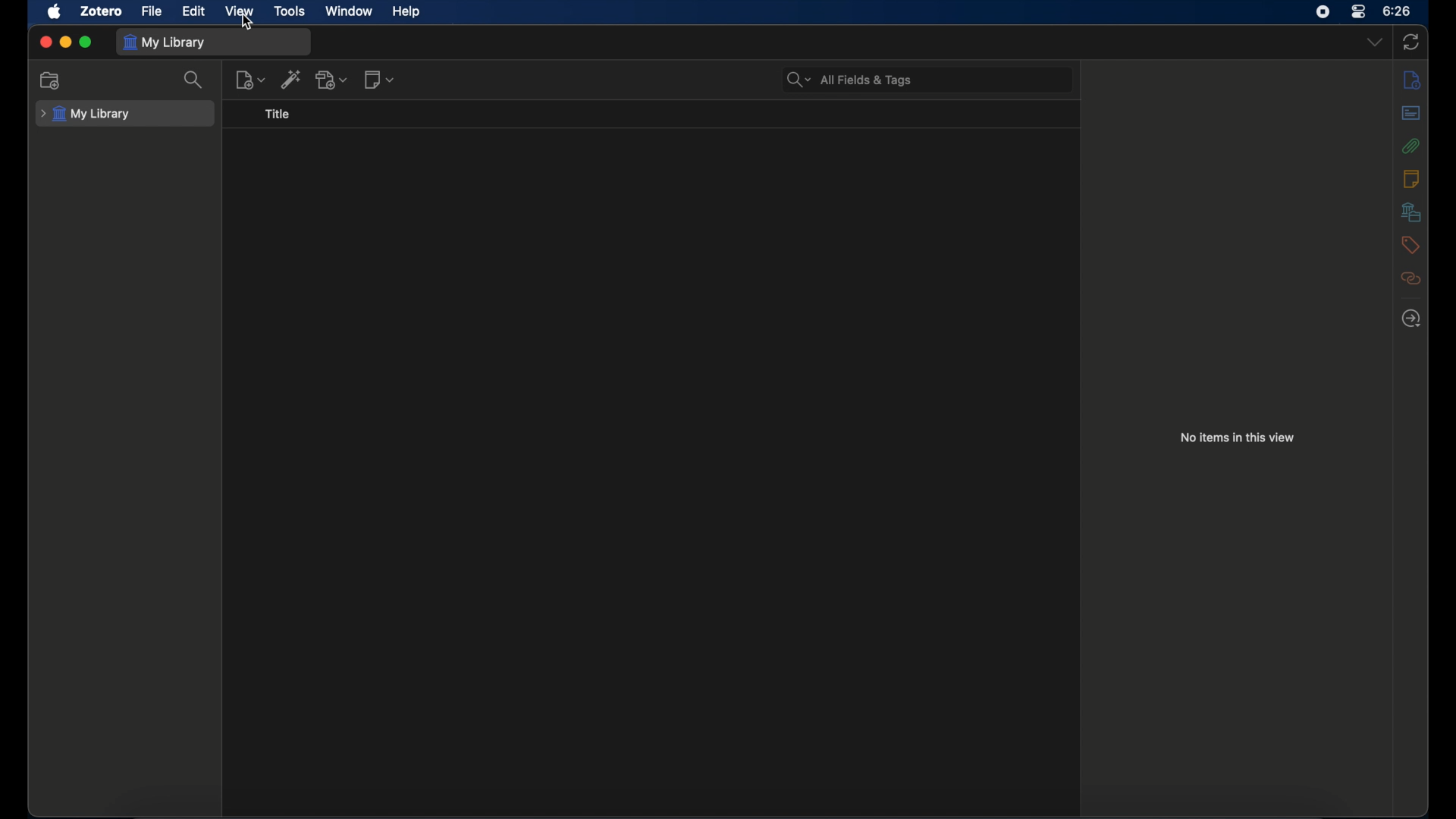 The width and height of the screenshot is (1456, 819). Describe the element at coordinates (290, 11) in the screenshot. I see `tools` at that location.